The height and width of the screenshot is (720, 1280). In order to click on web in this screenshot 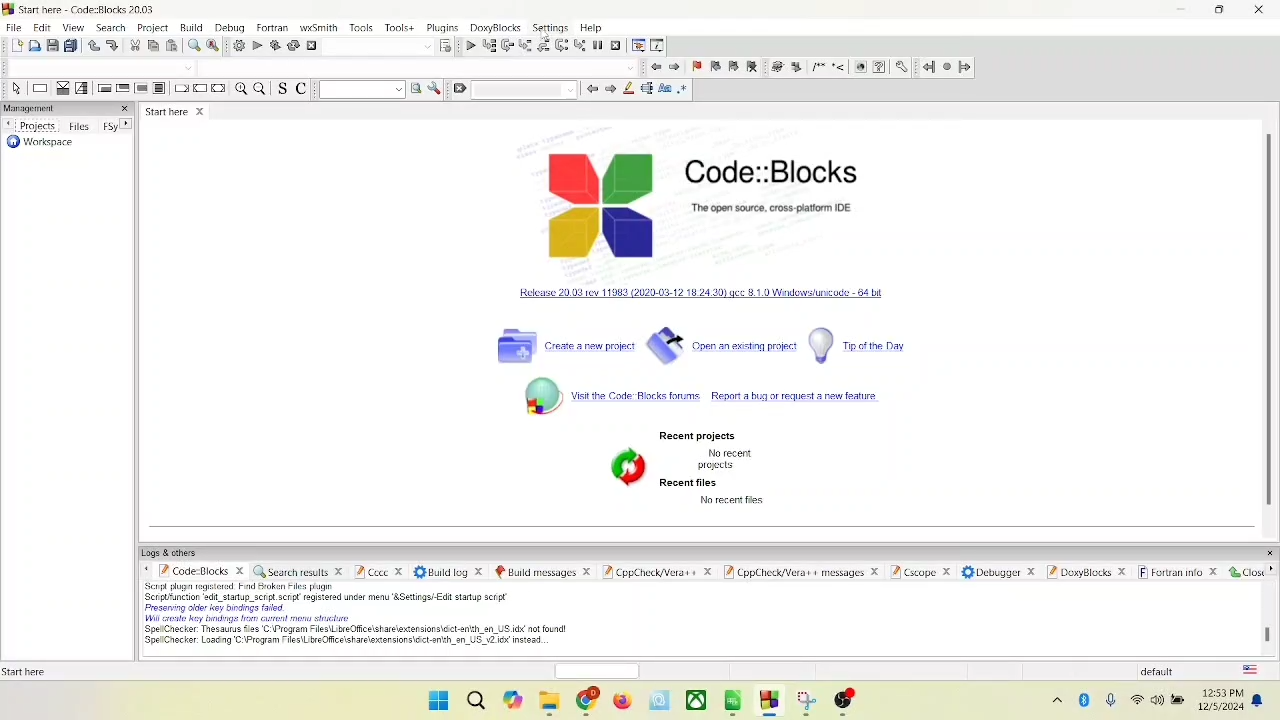, I will do `click(860, 65)`.